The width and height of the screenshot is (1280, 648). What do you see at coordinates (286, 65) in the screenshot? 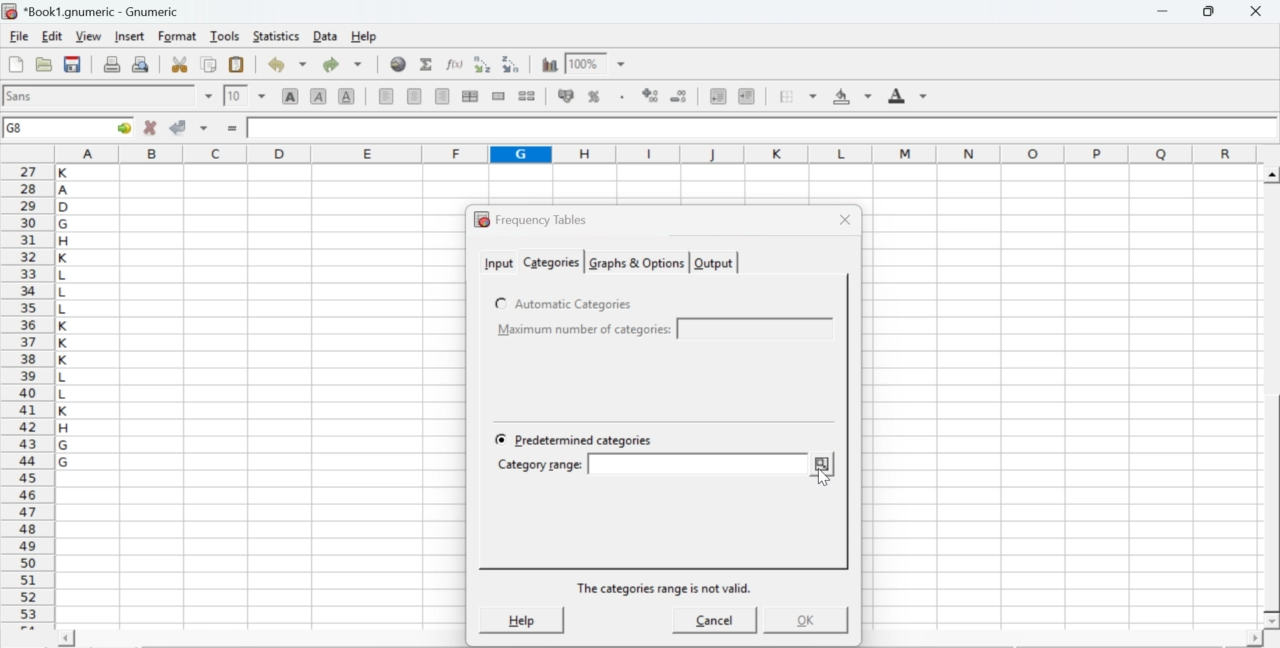
I see `undo` at bounding box center [286, 65].